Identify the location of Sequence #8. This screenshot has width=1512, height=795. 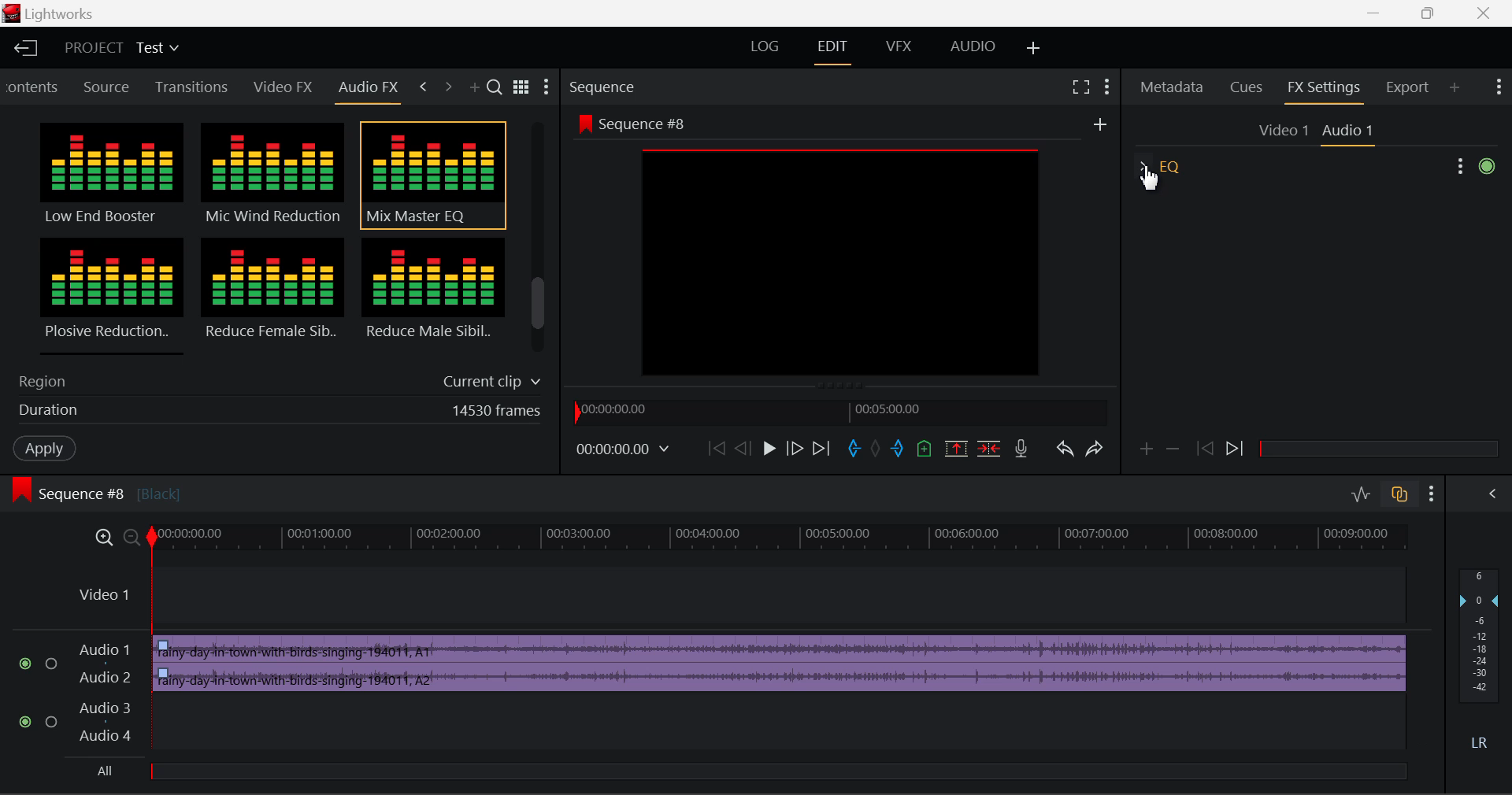
(122, 486).